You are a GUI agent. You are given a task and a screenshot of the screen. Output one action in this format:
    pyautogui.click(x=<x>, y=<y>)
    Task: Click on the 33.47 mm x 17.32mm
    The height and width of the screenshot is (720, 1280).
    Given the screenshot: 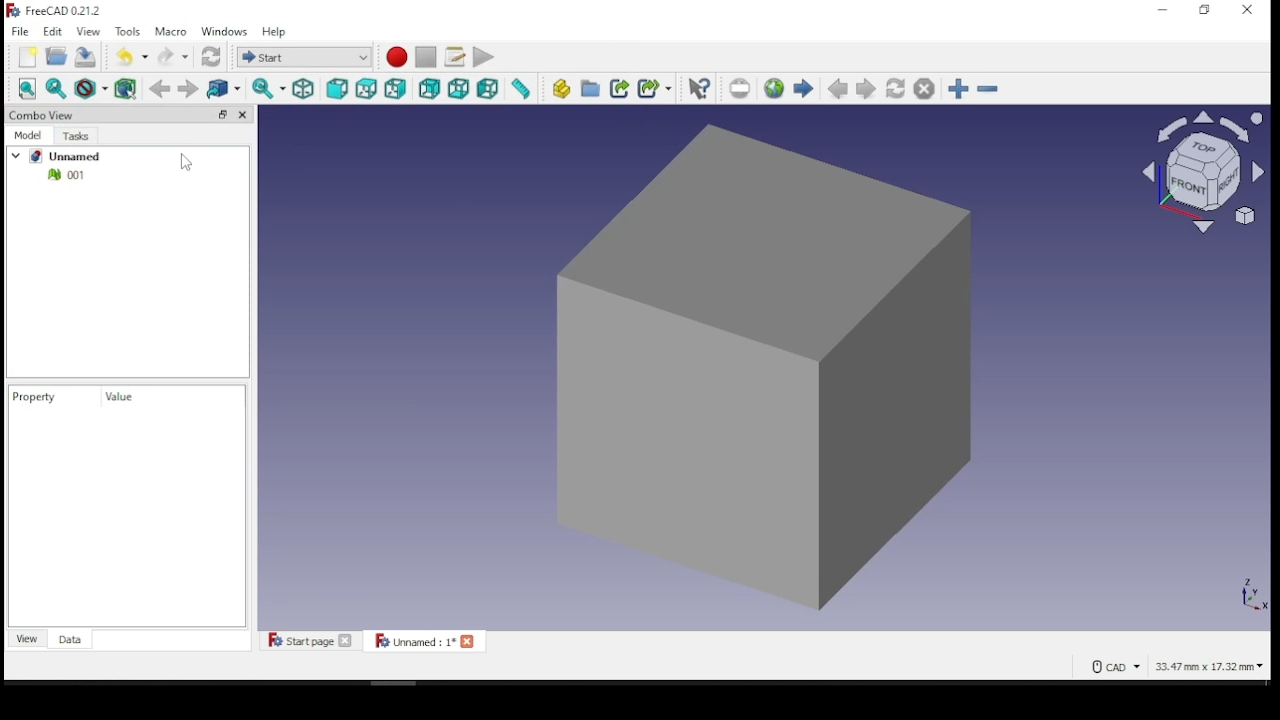 What is the action you would take?
    pyautogui.click(x=1204, y=668)
    